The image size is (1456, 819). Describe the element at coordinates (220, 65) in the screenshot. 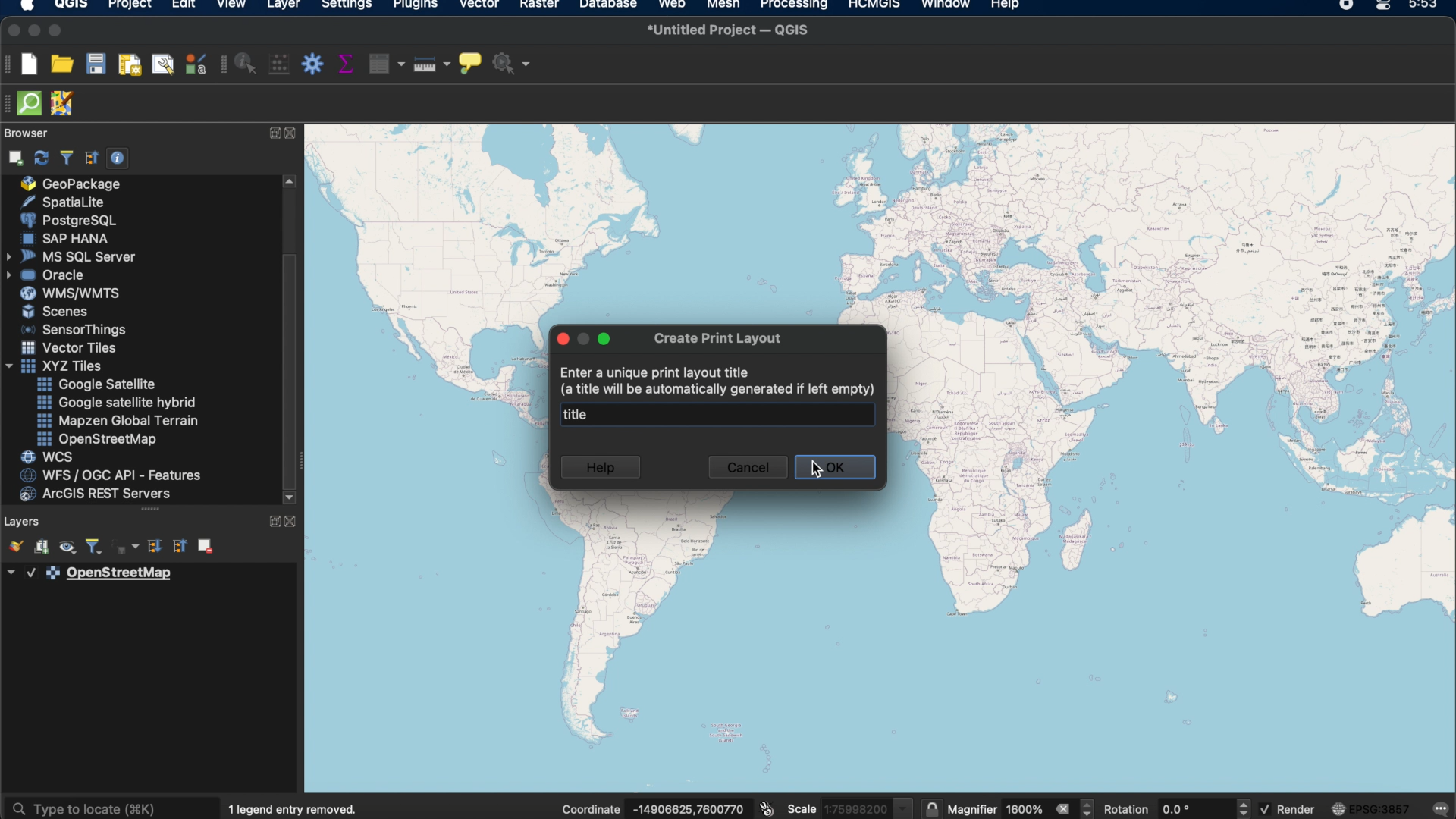

I see `attributes toolbar` at that location.